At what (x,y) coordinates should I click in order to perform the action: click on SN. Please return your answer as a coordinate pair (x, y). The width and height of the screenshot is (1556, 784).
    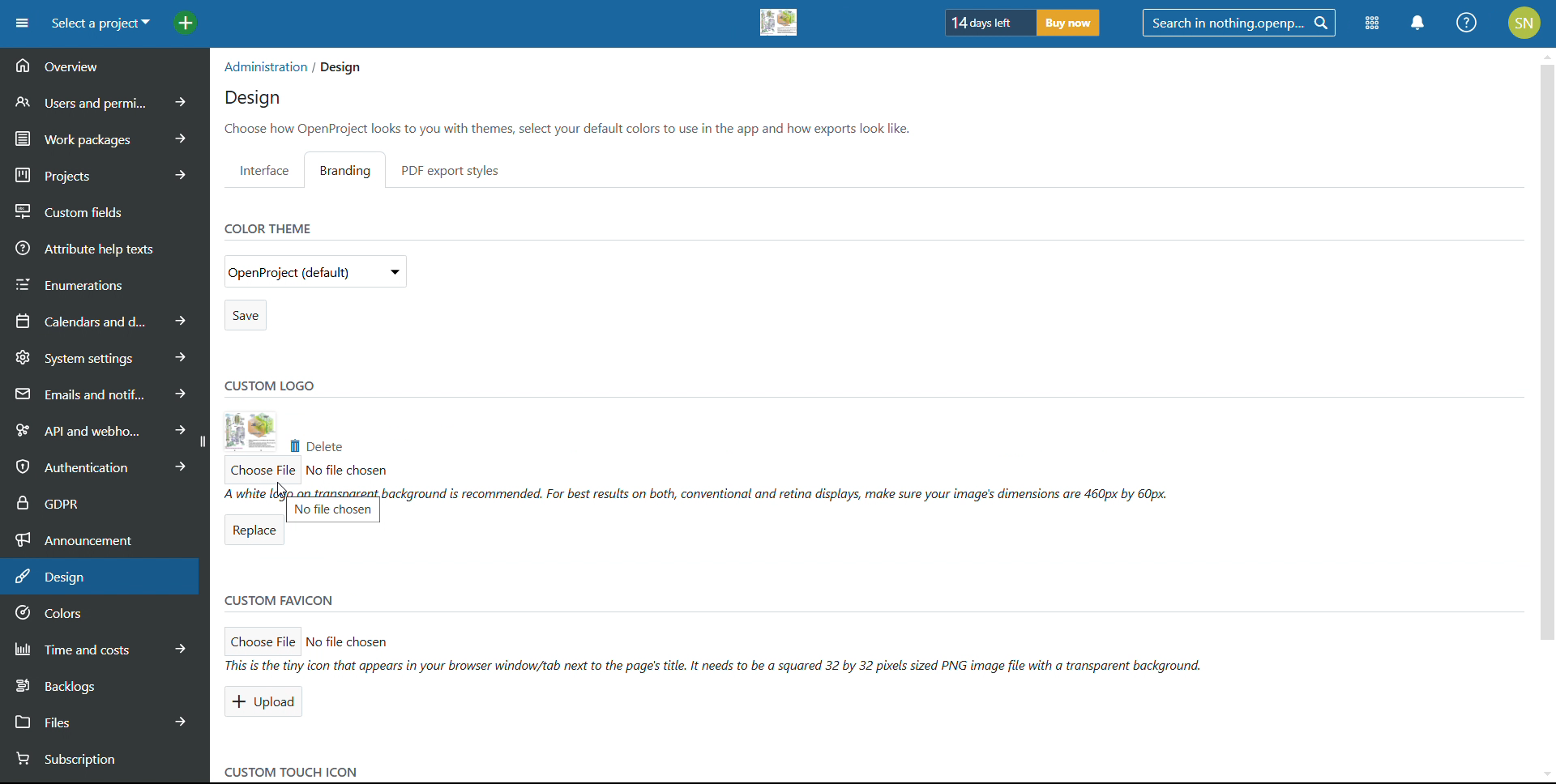
    Looking at the image, I should click on (1527, 21).